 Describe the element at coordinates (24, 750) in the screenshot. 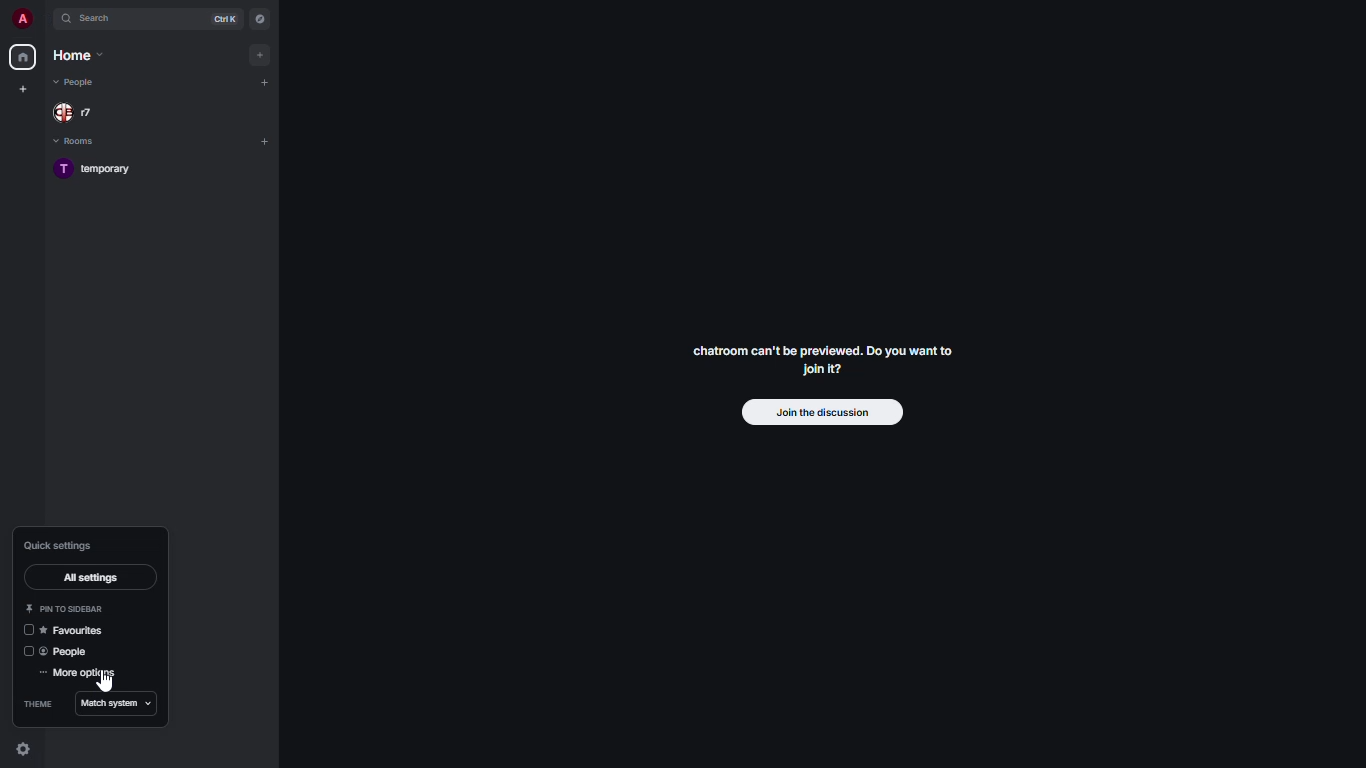

I see `quick settings` at that location.